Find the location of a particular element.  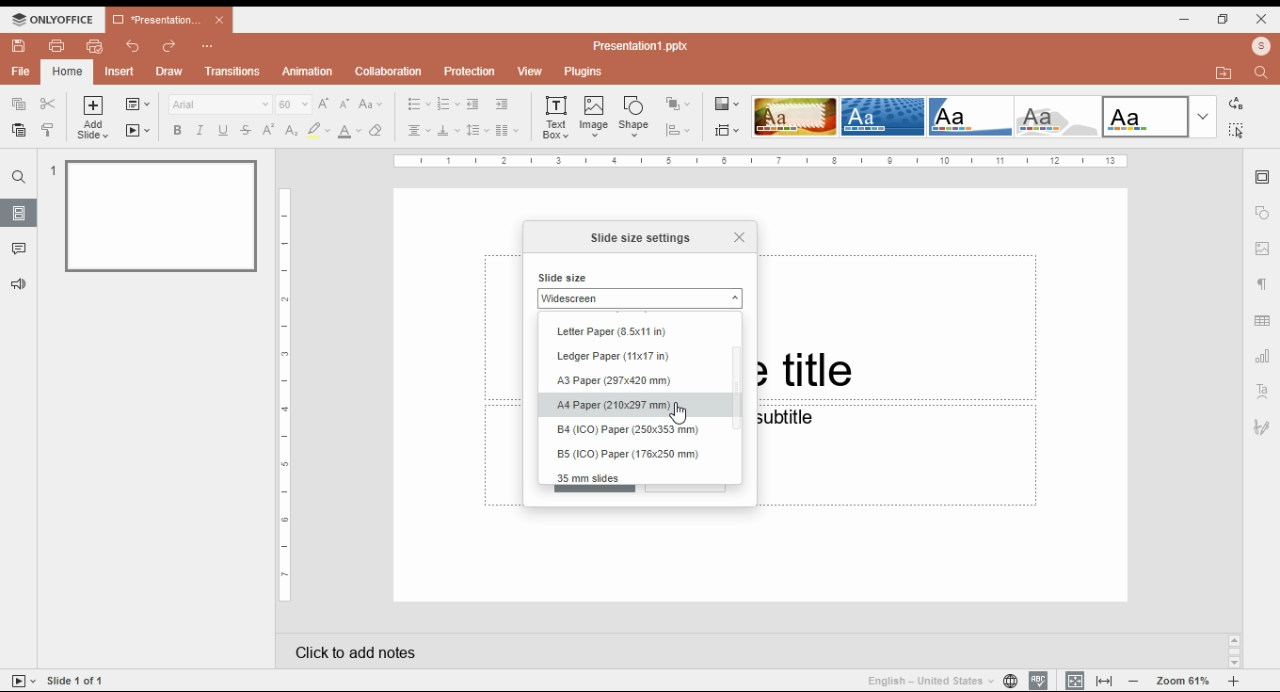

ONLYOFFICE is located at coordinates (53, 19).